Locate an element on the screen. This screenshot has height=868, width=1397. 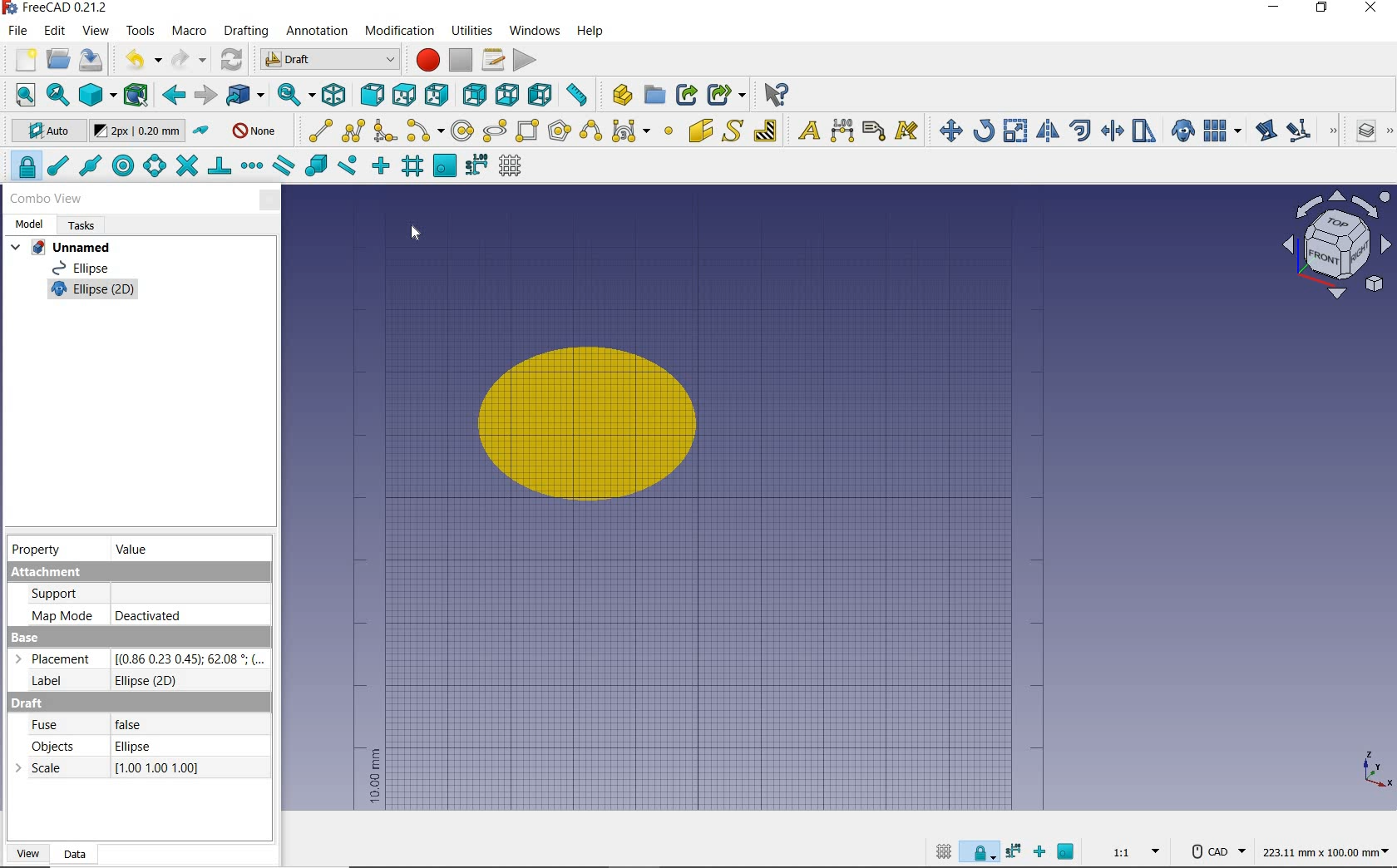
polyline is located at coordinates (354, 132).